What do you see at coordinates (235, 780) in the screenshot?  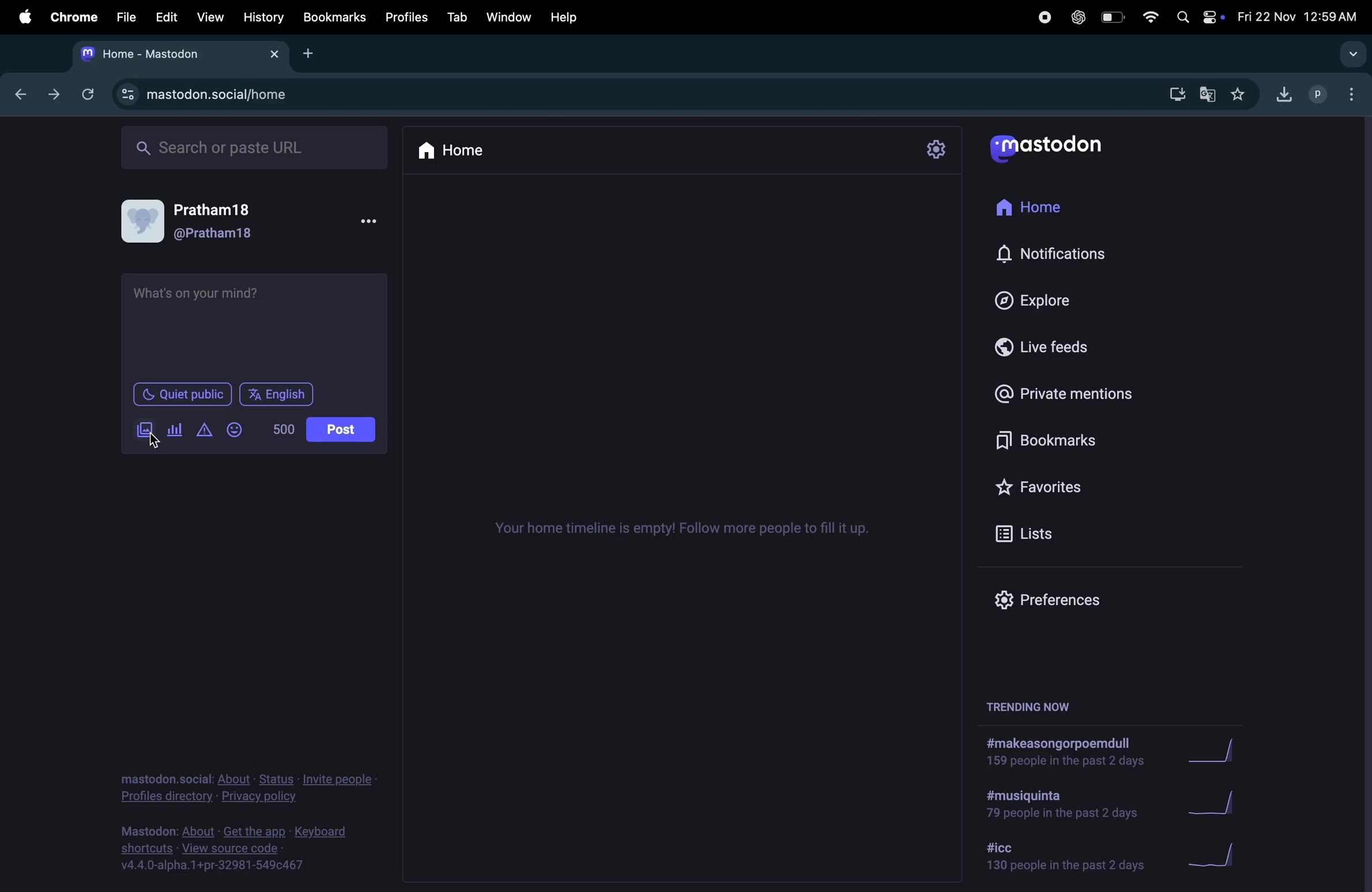 I see `about` at bounding box center [235, 780].